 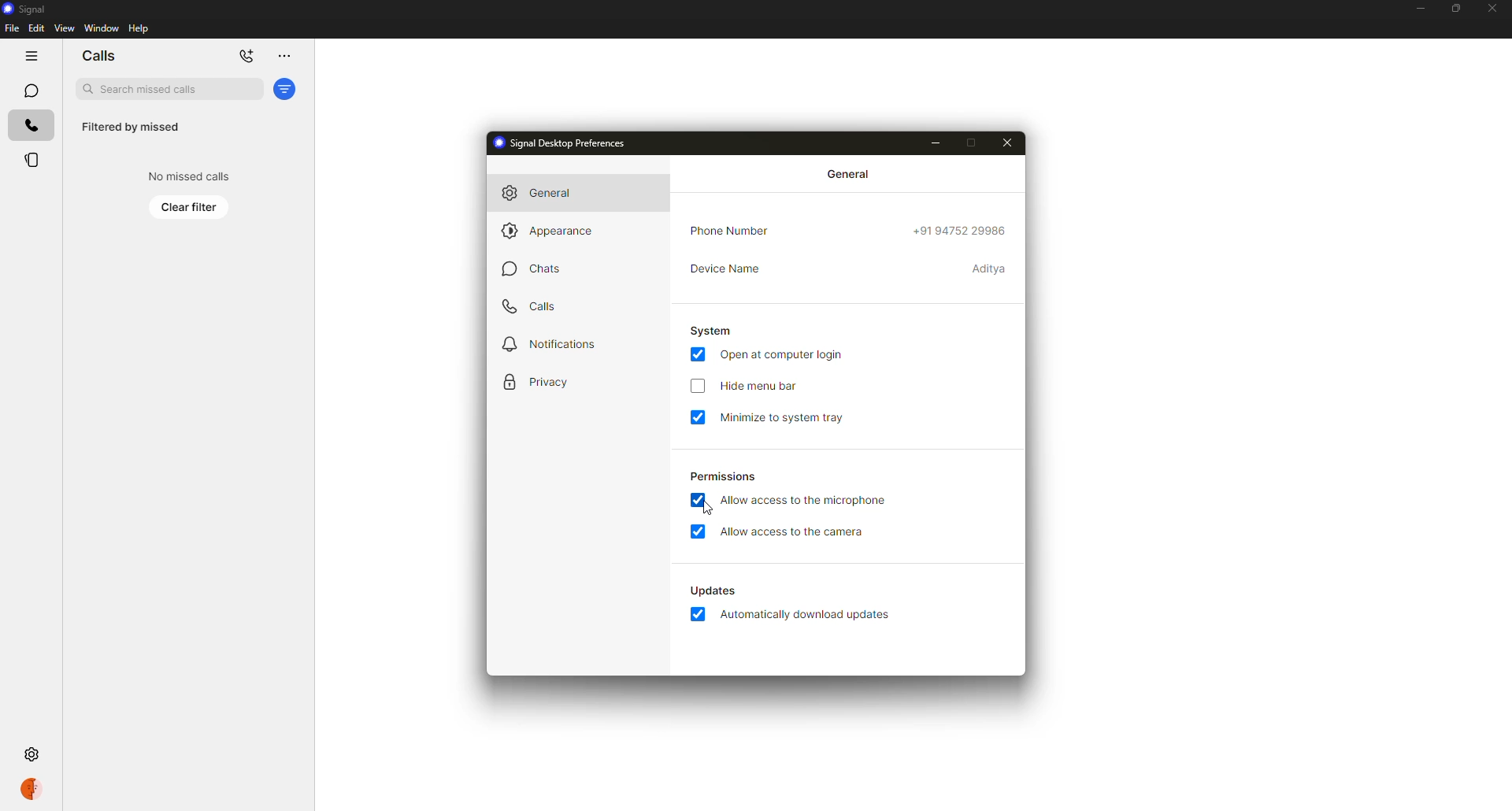 What do you see at coordinates (1419, 8) in the screenshot?
I see `minimize` at bounding box center [1419, 8].